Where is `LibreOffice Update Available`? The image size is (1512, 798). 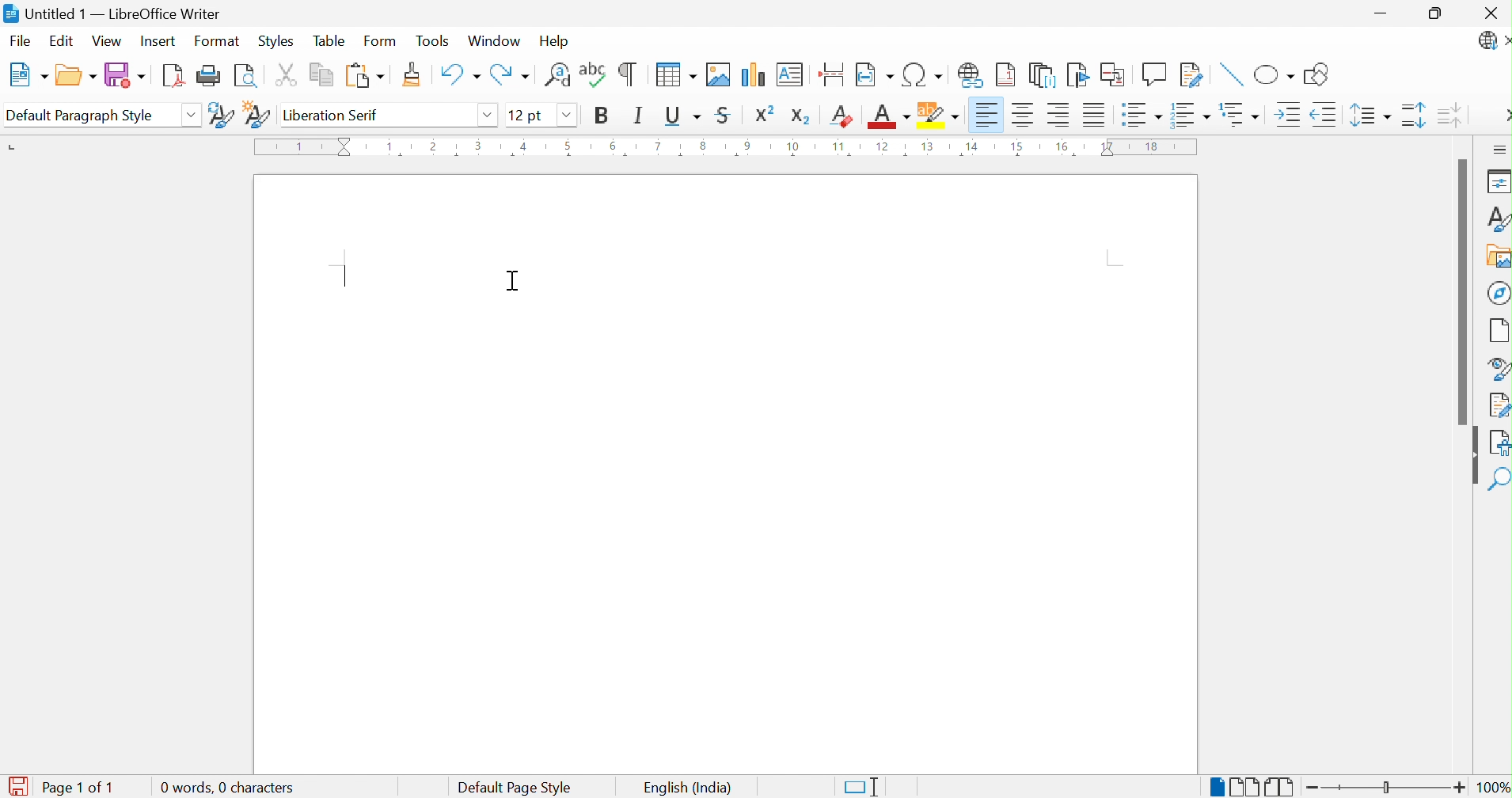
LibreOffice Update Available is located at coordinates (1493, 43).